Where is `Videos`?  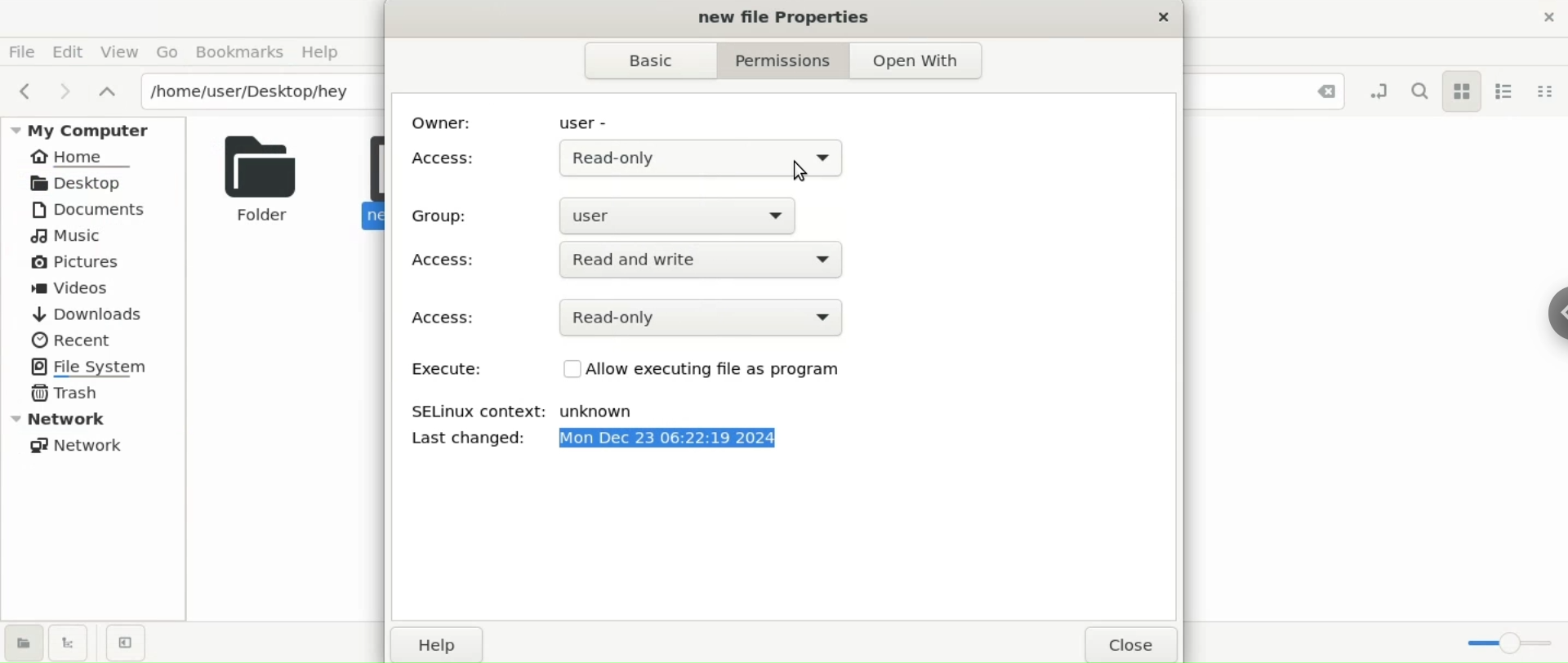
Videos is located at coordinates (82, 289).